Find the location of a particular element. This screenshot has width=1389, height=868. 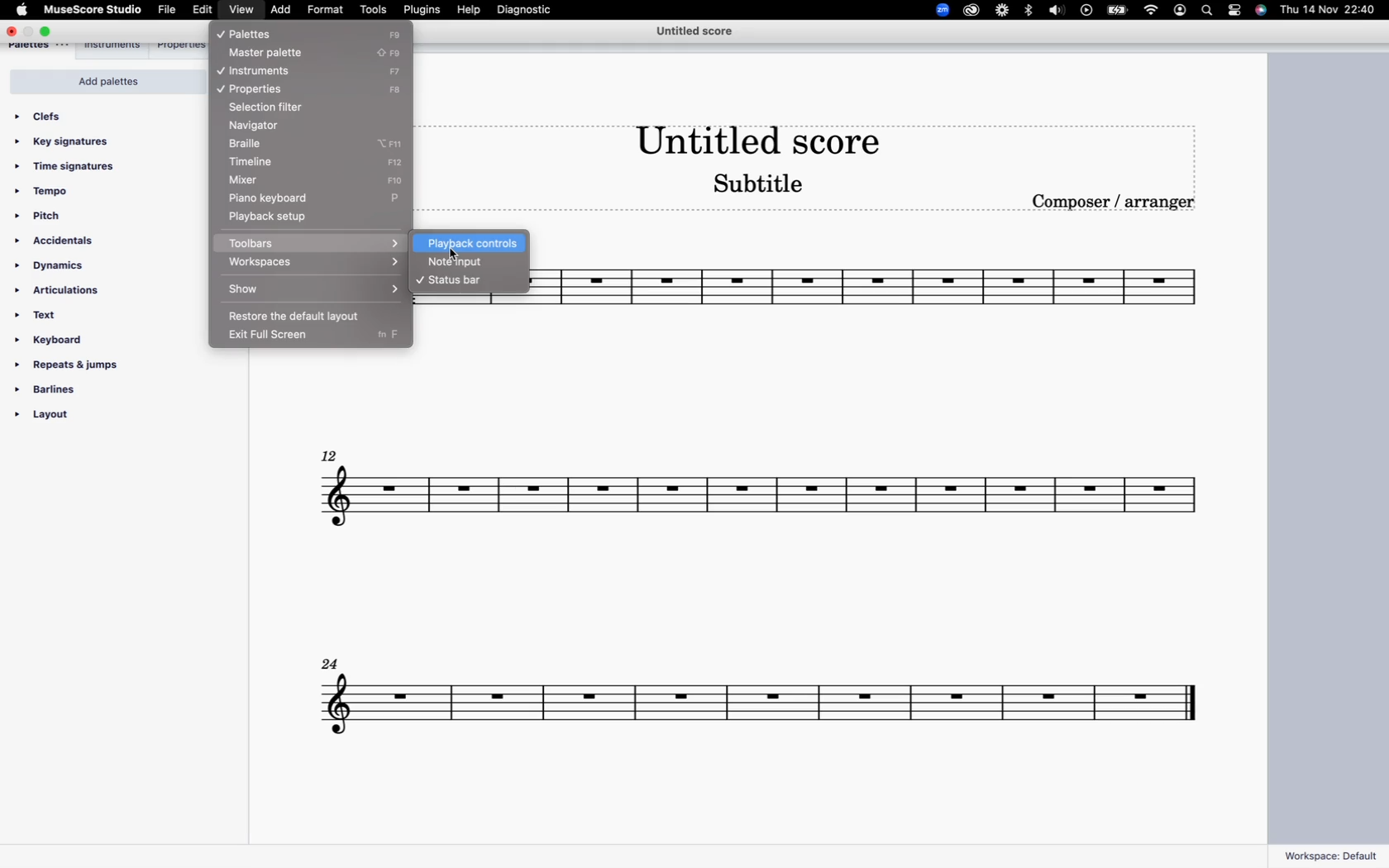

status bar is located at coordinates (468, 283).